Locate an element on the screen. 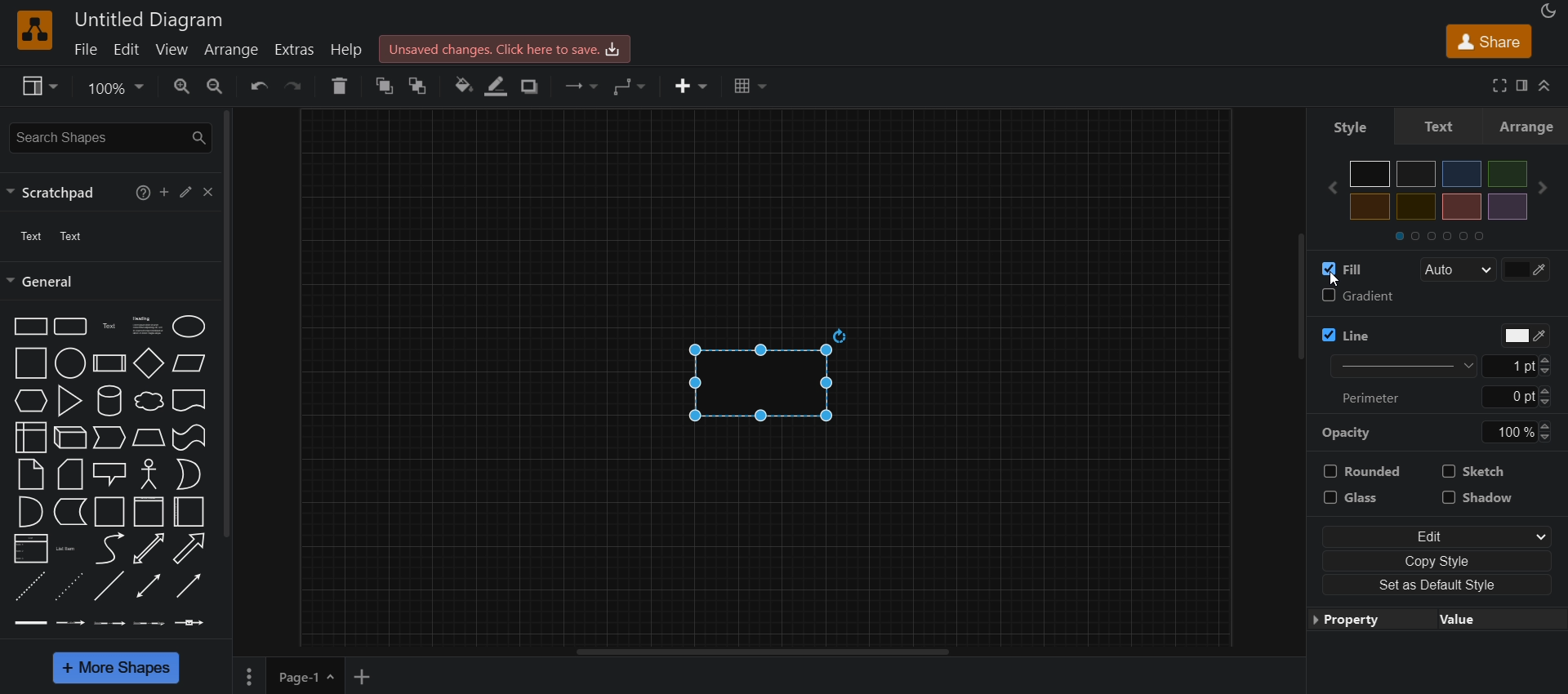 The width and height of the screenshot is (1568, 694). fullscreen is located at coordinates (1497, 85).